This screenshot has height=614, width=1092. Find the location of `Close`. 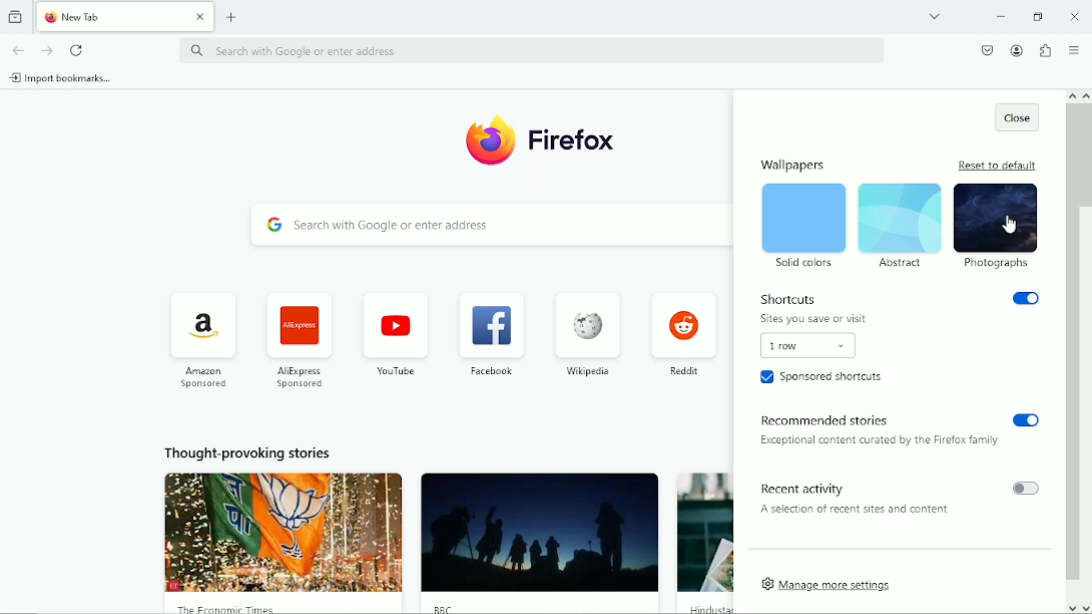

Close is located at coordinates (1074, 15).